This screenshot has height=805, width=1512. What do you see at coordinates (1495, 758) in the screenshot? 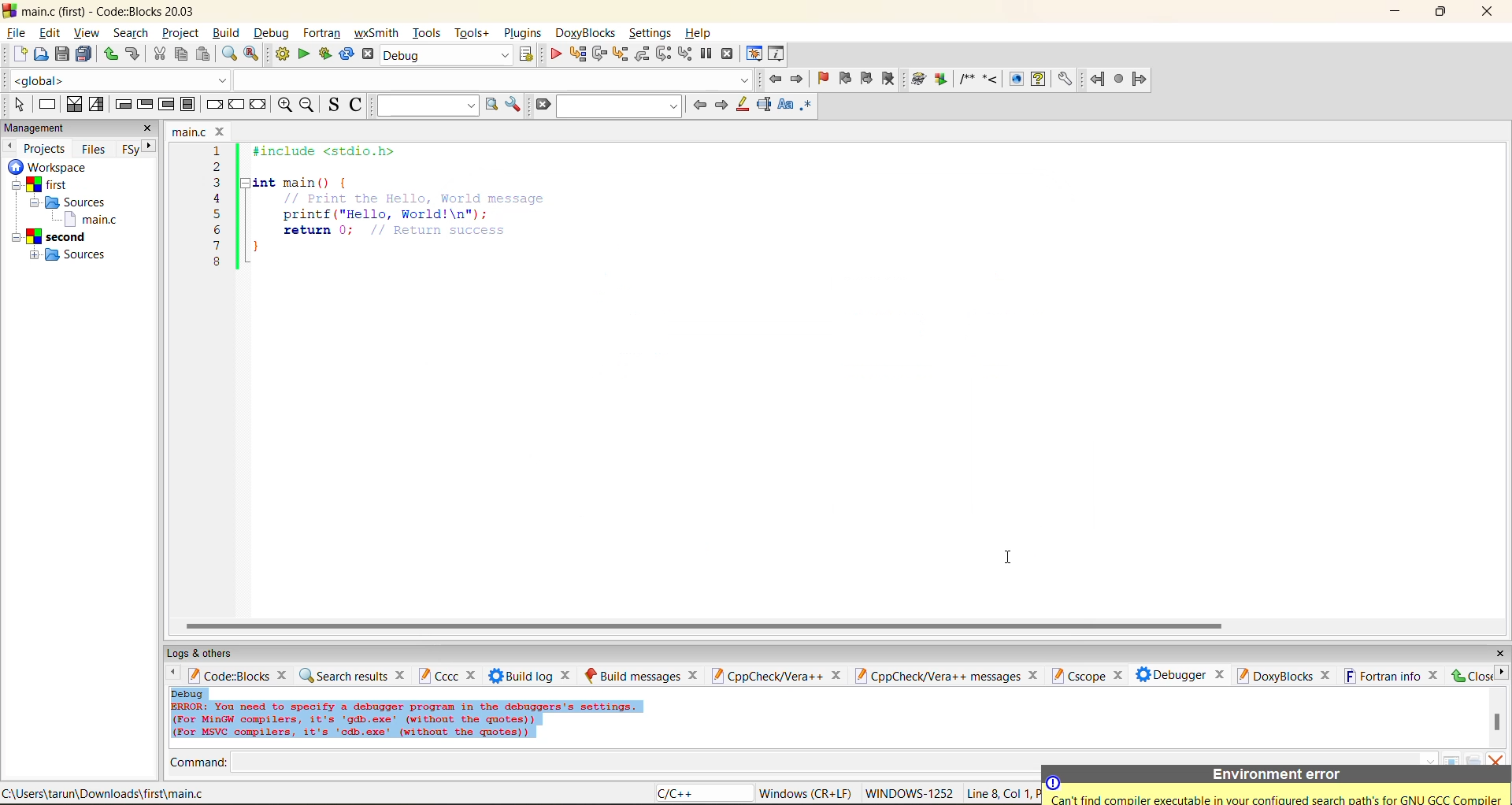
I see `clear output window` at bounding box center [1495, 758].